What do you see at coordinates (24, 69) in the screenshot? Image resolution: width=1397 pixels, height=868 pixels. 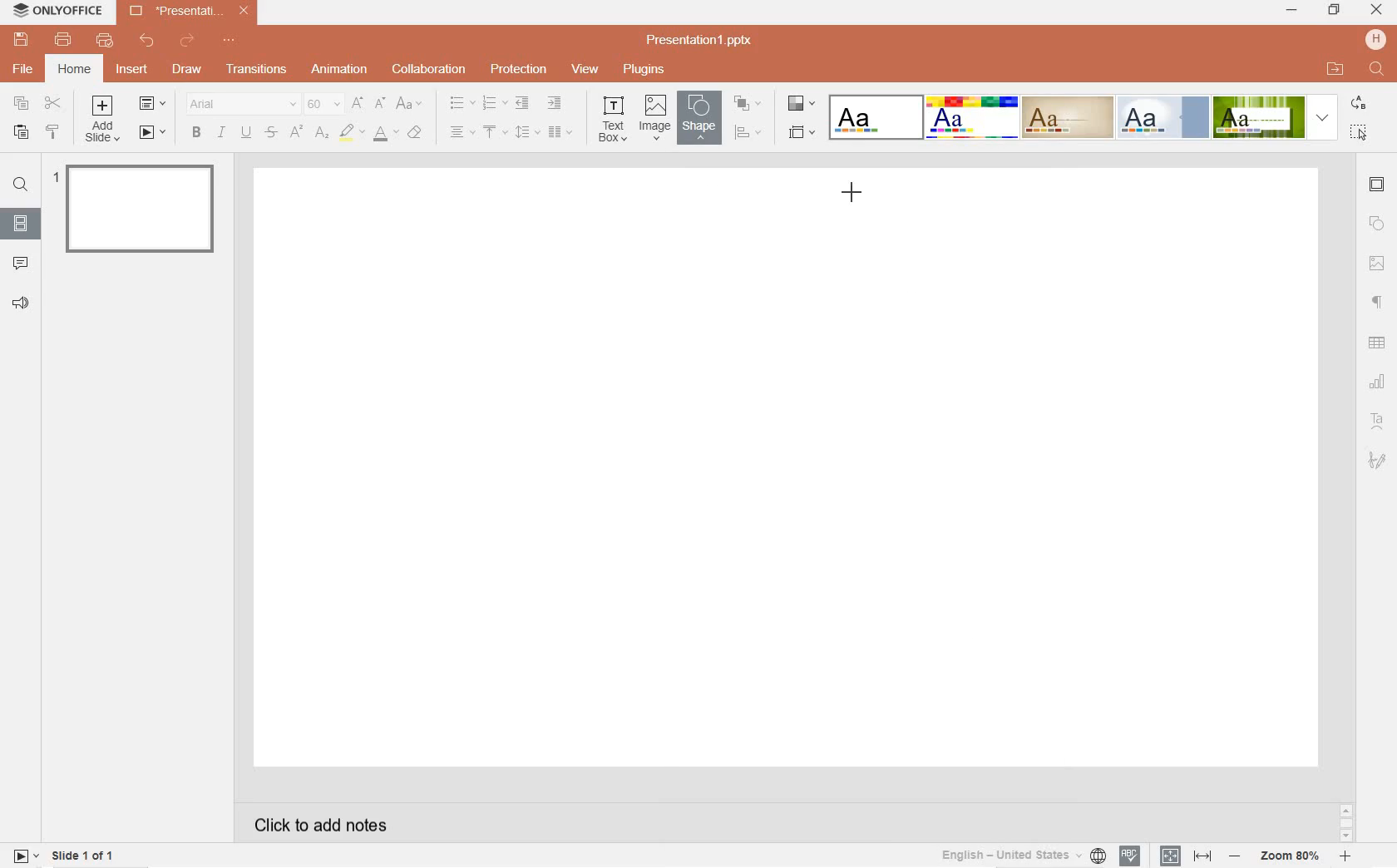 I see `file` at bounding box center [24, 69].